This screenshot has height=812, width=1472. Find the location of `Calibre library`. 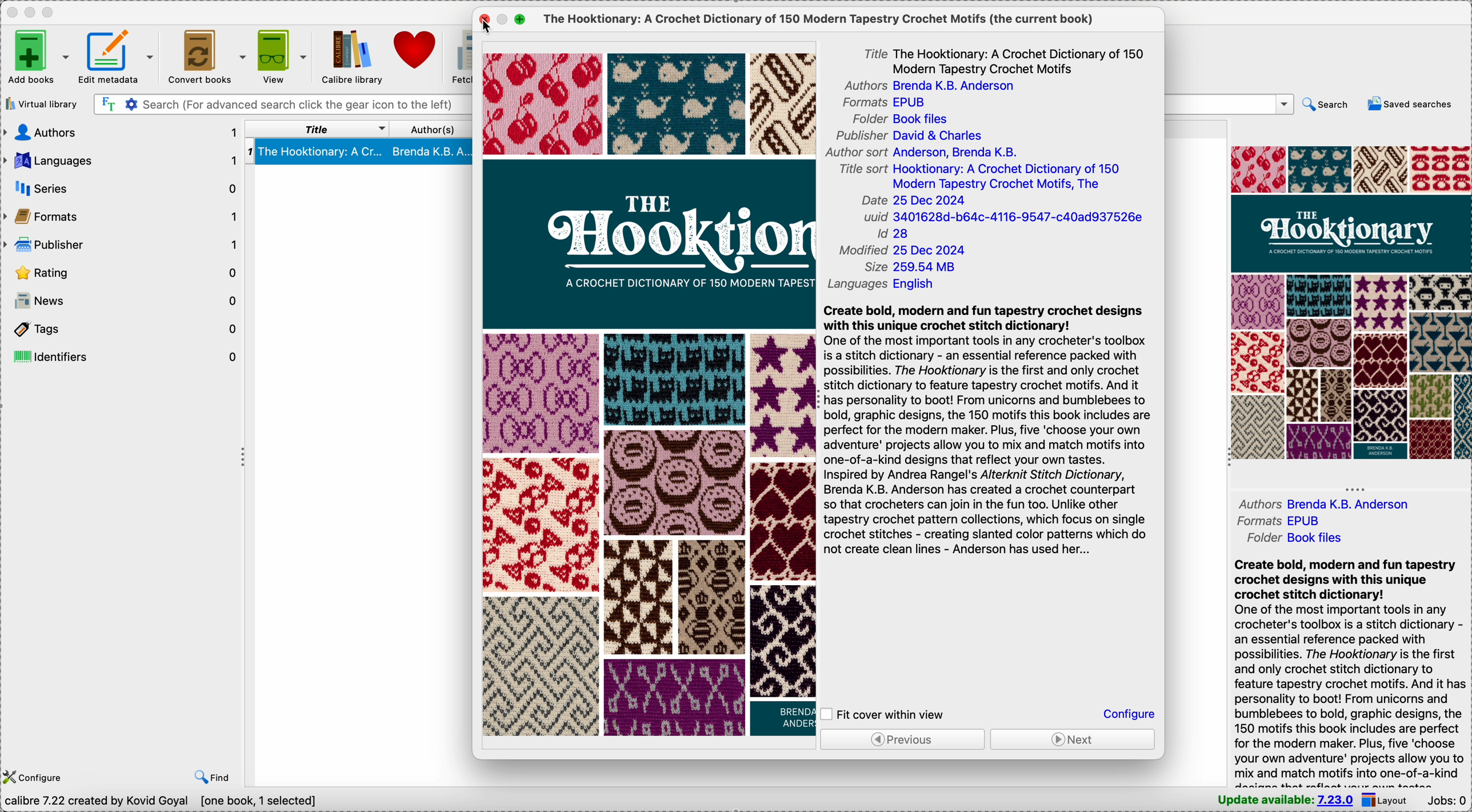

Calibre library is located at coordinates (348, 55).